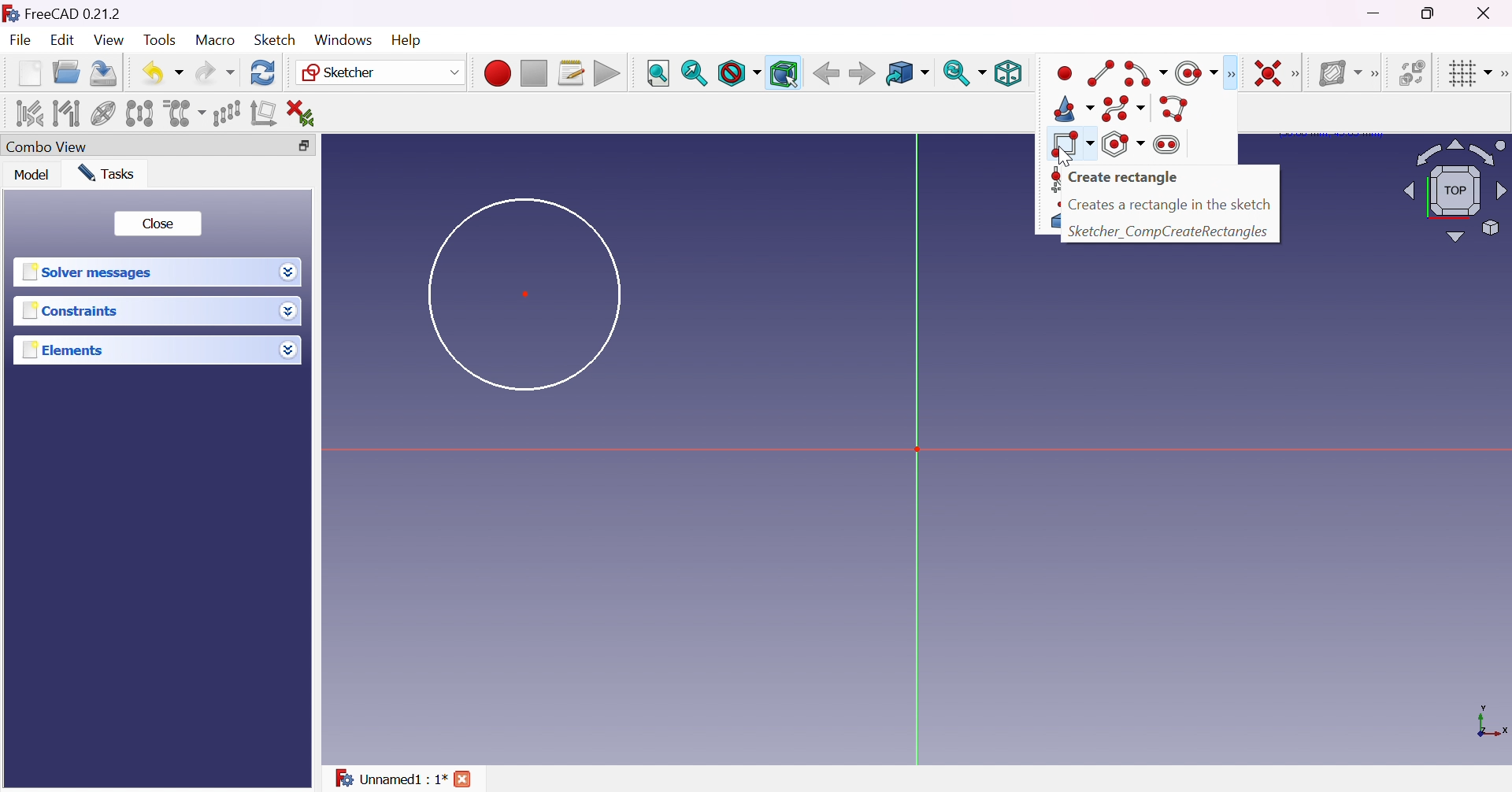 This screenshot has height=792, width=1512. What do you see at coordinates (527, 293) in the screenshot?
I see `Dot` at bounding box center [527, 293].